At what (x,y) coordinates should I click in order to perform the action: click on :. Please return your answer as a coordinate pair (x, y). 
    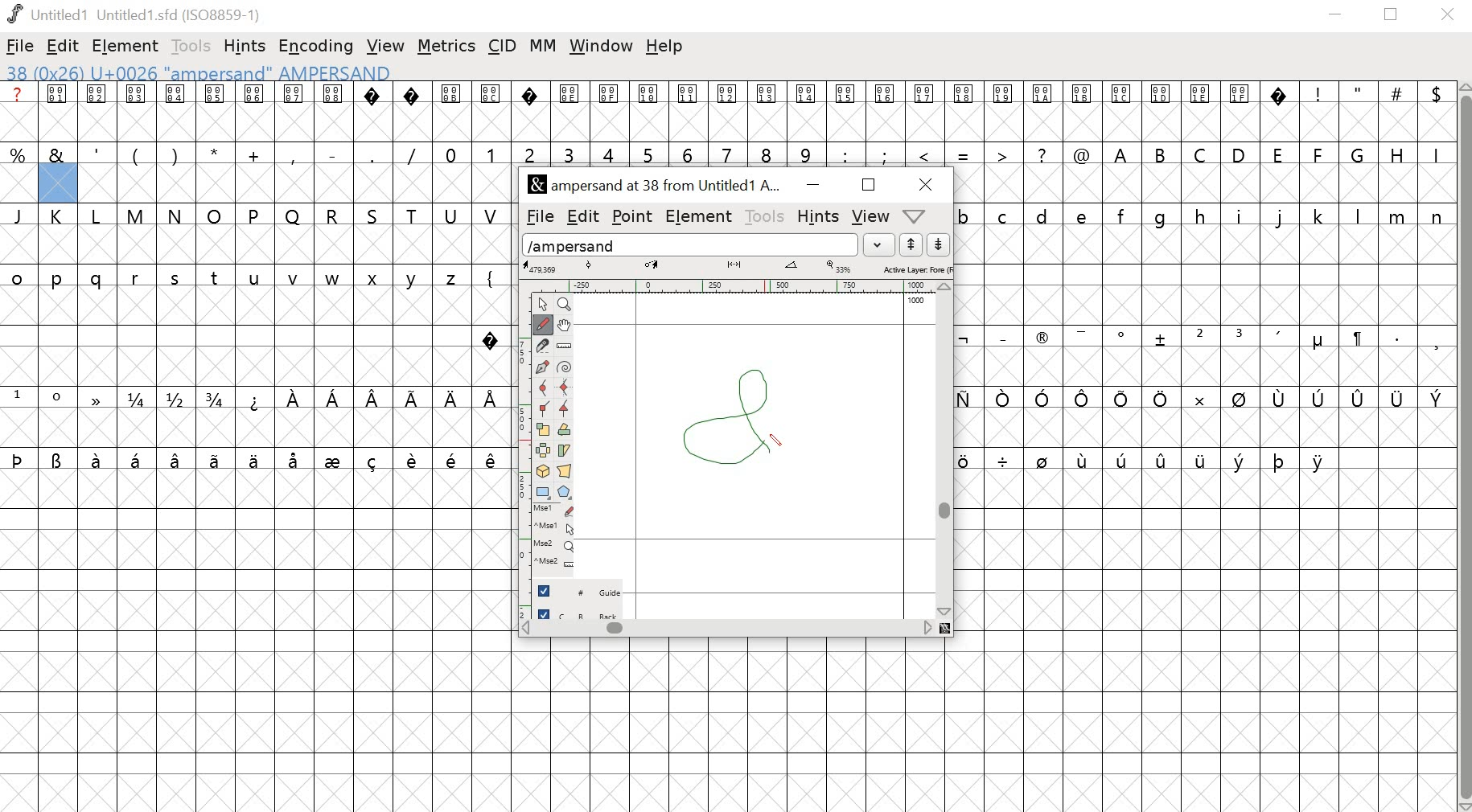
    Looking at the image, I should click on (844, 154).